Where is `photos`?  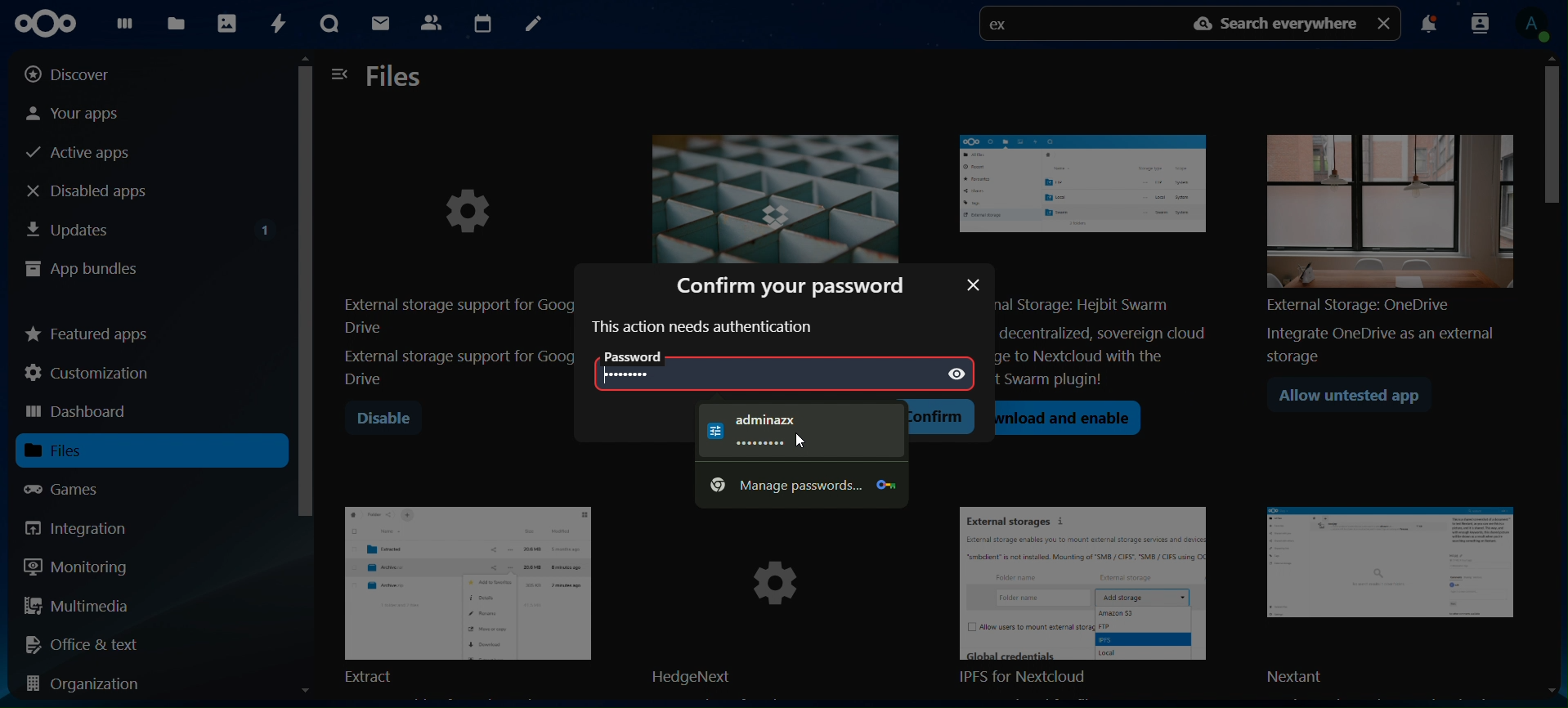 photos is located at coordinates (226, 22).